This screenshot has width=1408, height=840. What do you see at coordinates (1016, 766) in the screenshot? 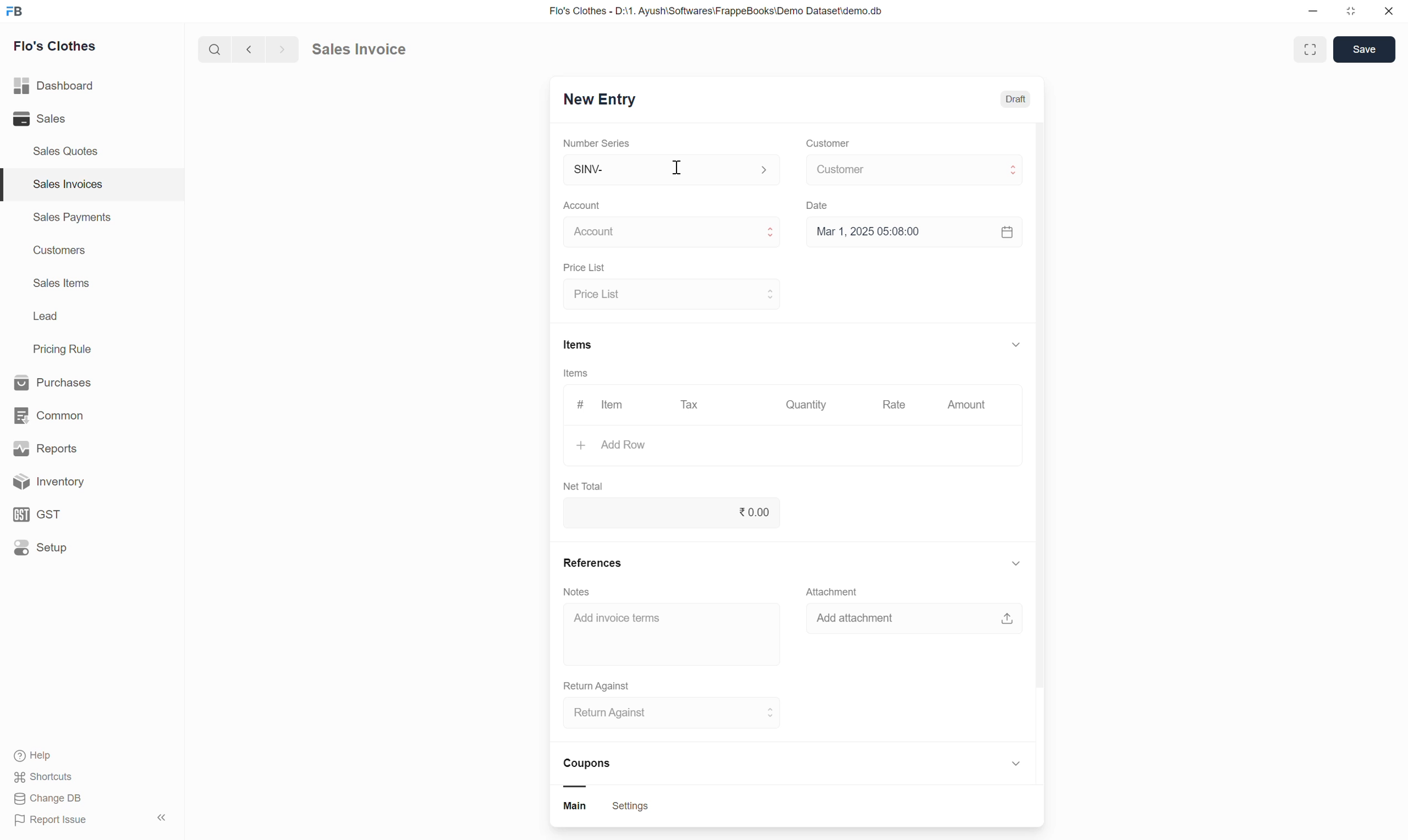
I see `show or hide coupon` at bounding box center [1016, 766].